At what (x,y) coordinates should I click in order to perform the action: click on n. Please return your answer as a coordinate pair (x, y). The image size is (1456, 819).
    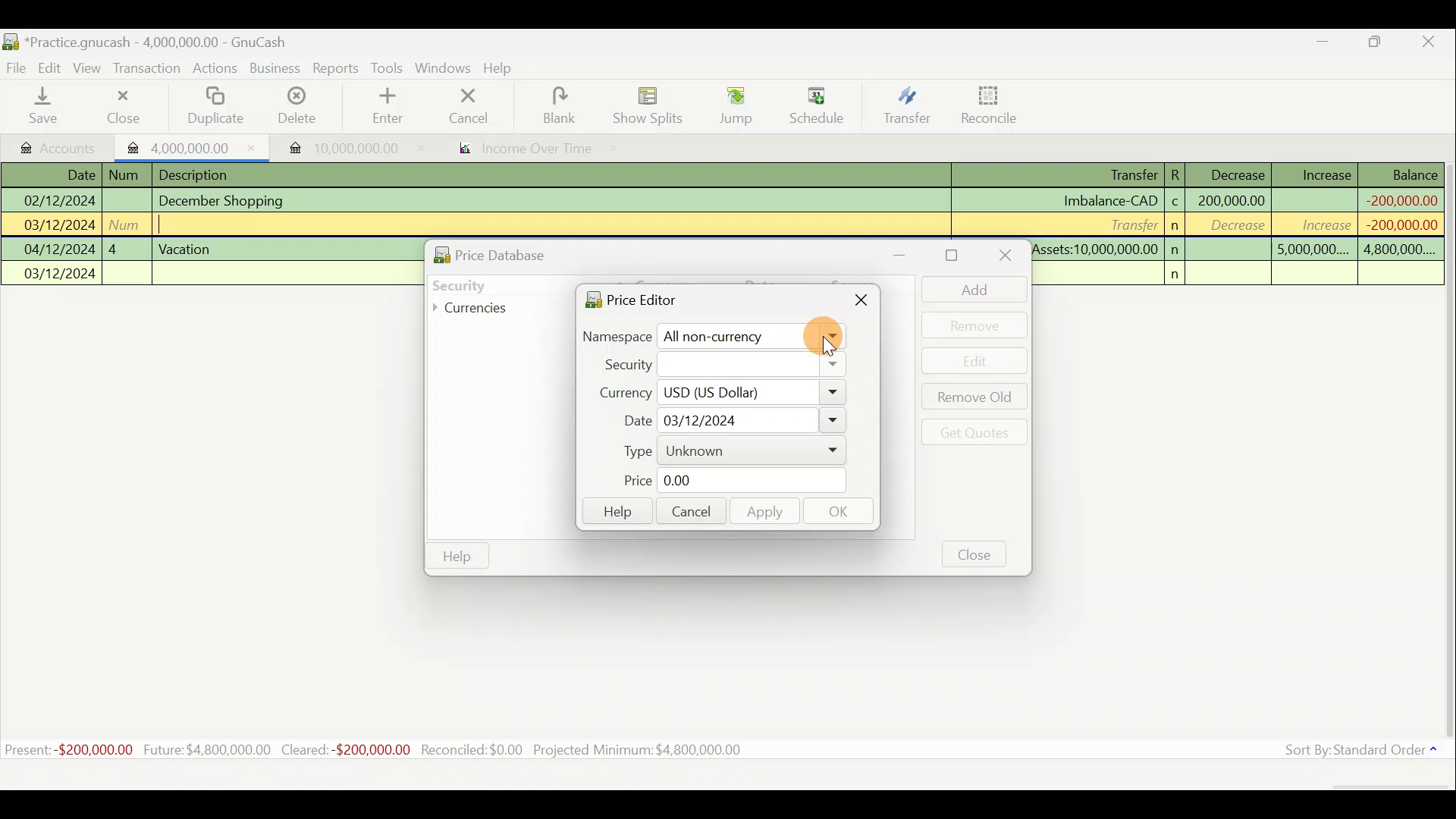
    Looking at the image, I should click on (1177, 249).